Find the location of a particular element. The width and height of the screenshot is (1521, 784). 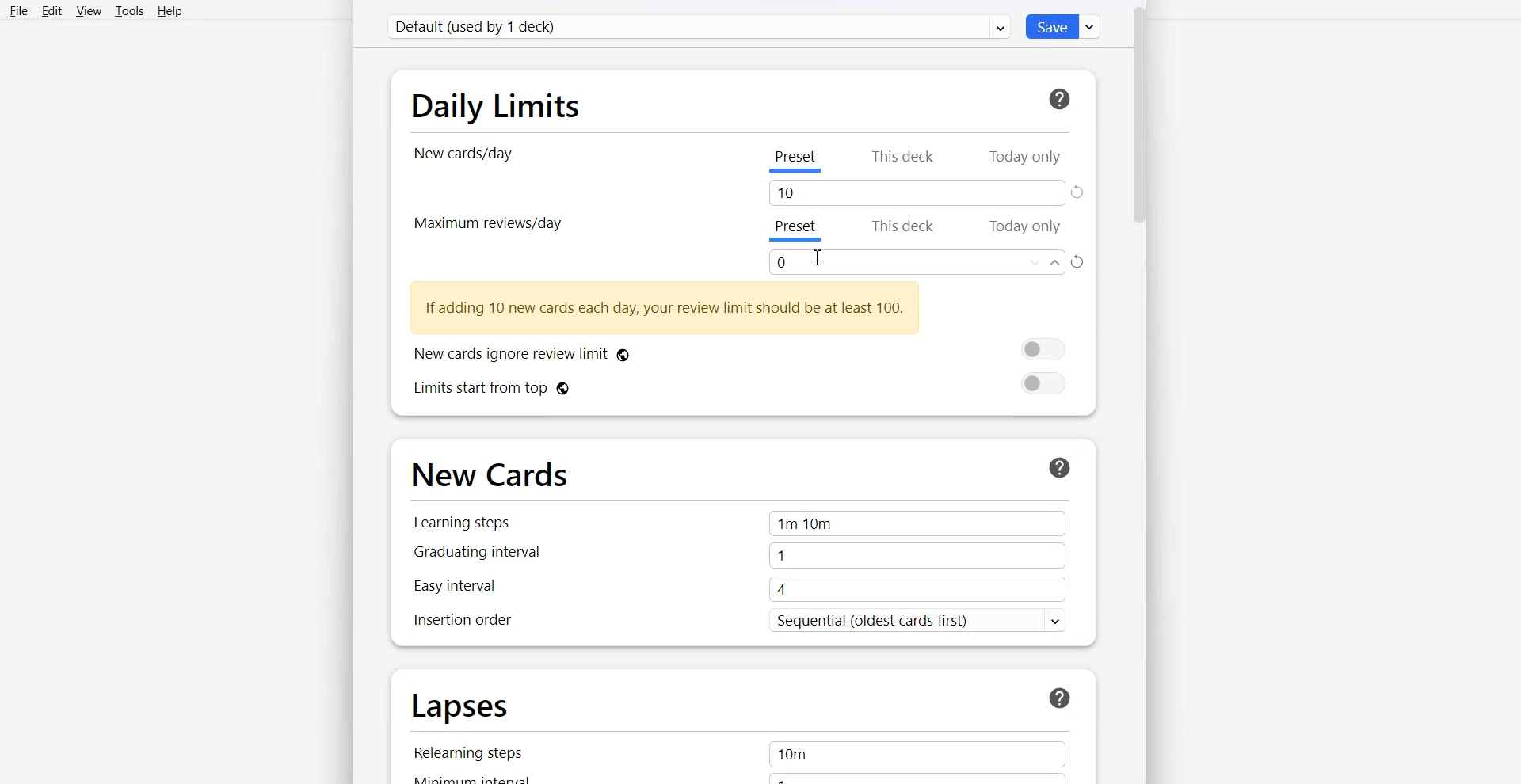

Help is located at coordinates (1058, 466).